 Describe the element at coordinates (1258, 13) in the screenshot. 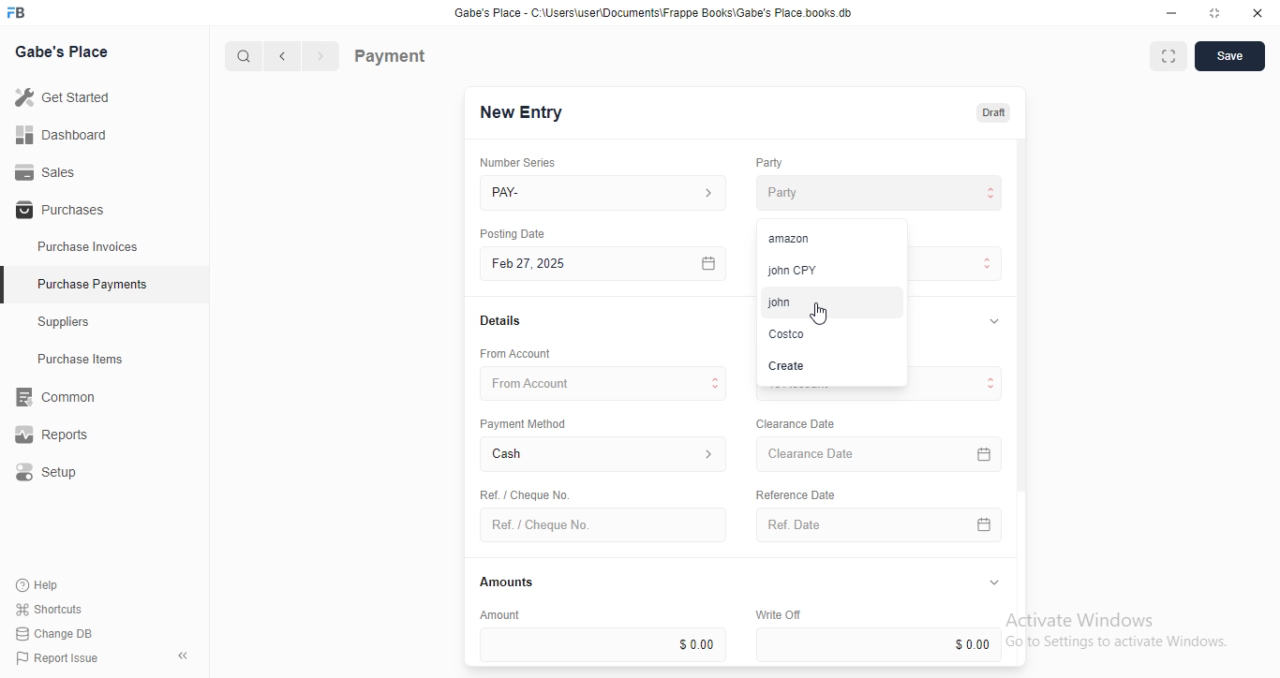

I see `close` at that location.